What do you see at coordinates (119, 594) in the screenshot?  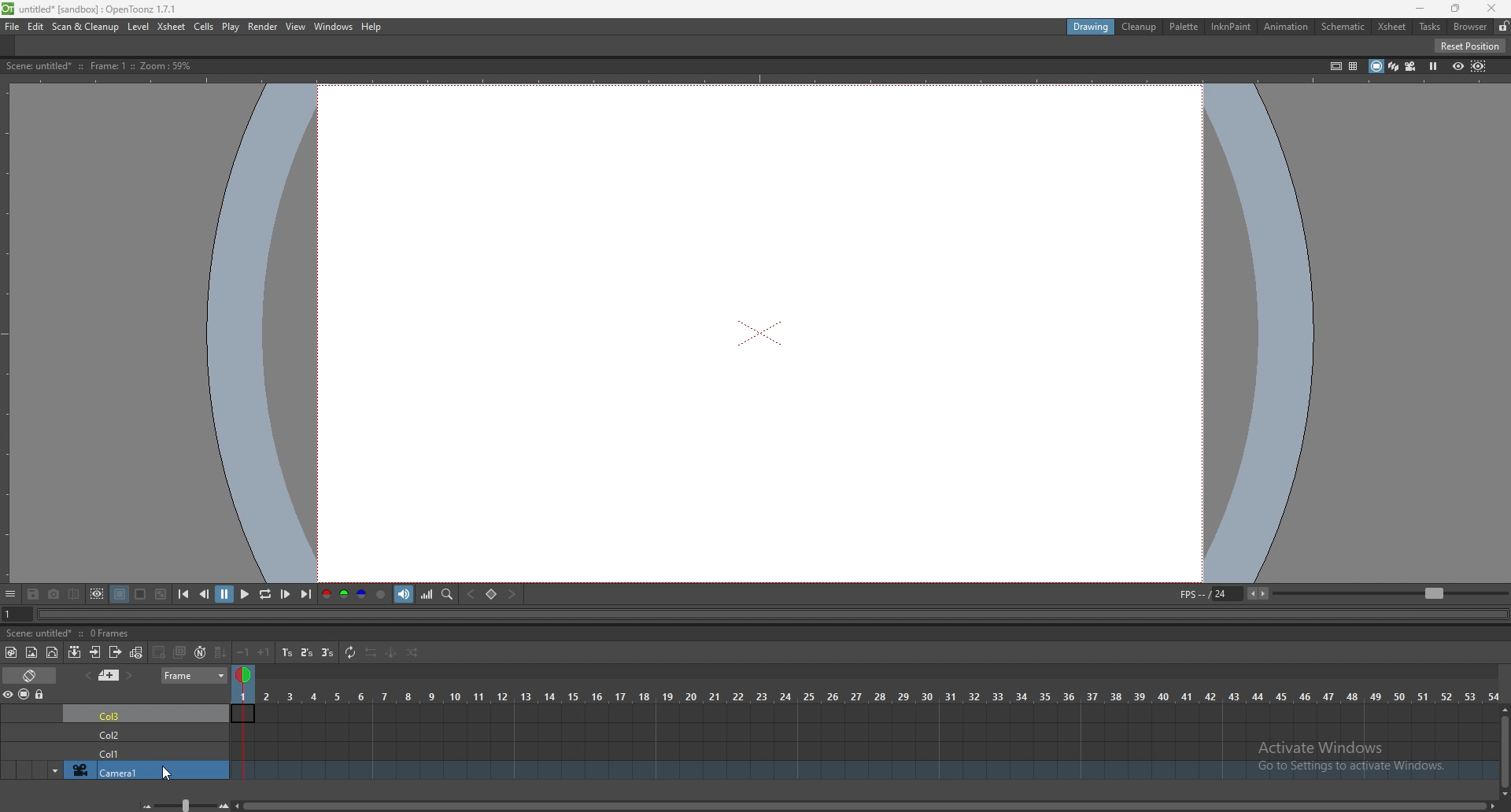 I see `black background` at bounding box center [119, 594].